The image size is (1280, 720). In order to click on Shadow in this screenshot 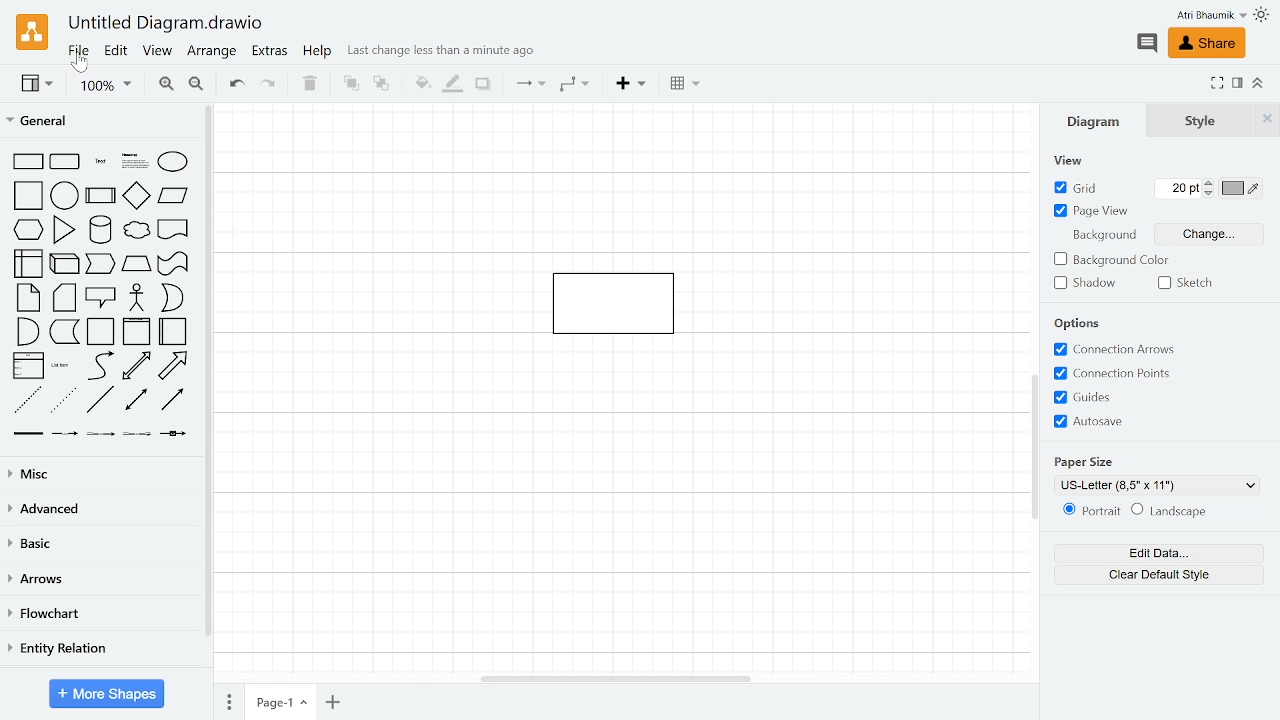, I will do `click(1084, 283)`.